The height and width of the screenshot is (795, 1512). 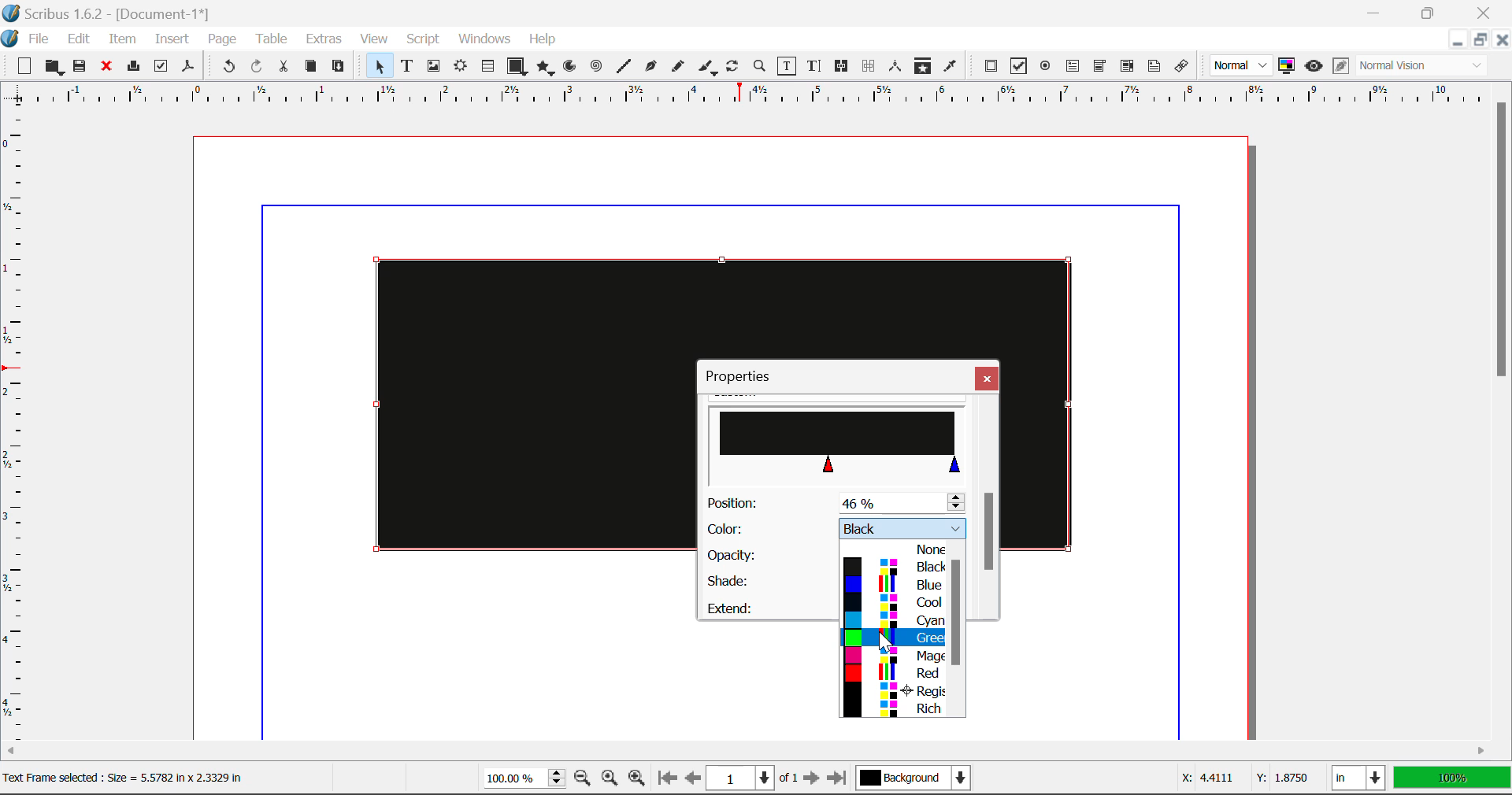 What do you see at coordinates (41, 42) in the screenshot?
I see `File` at bounding box center [41, 42].